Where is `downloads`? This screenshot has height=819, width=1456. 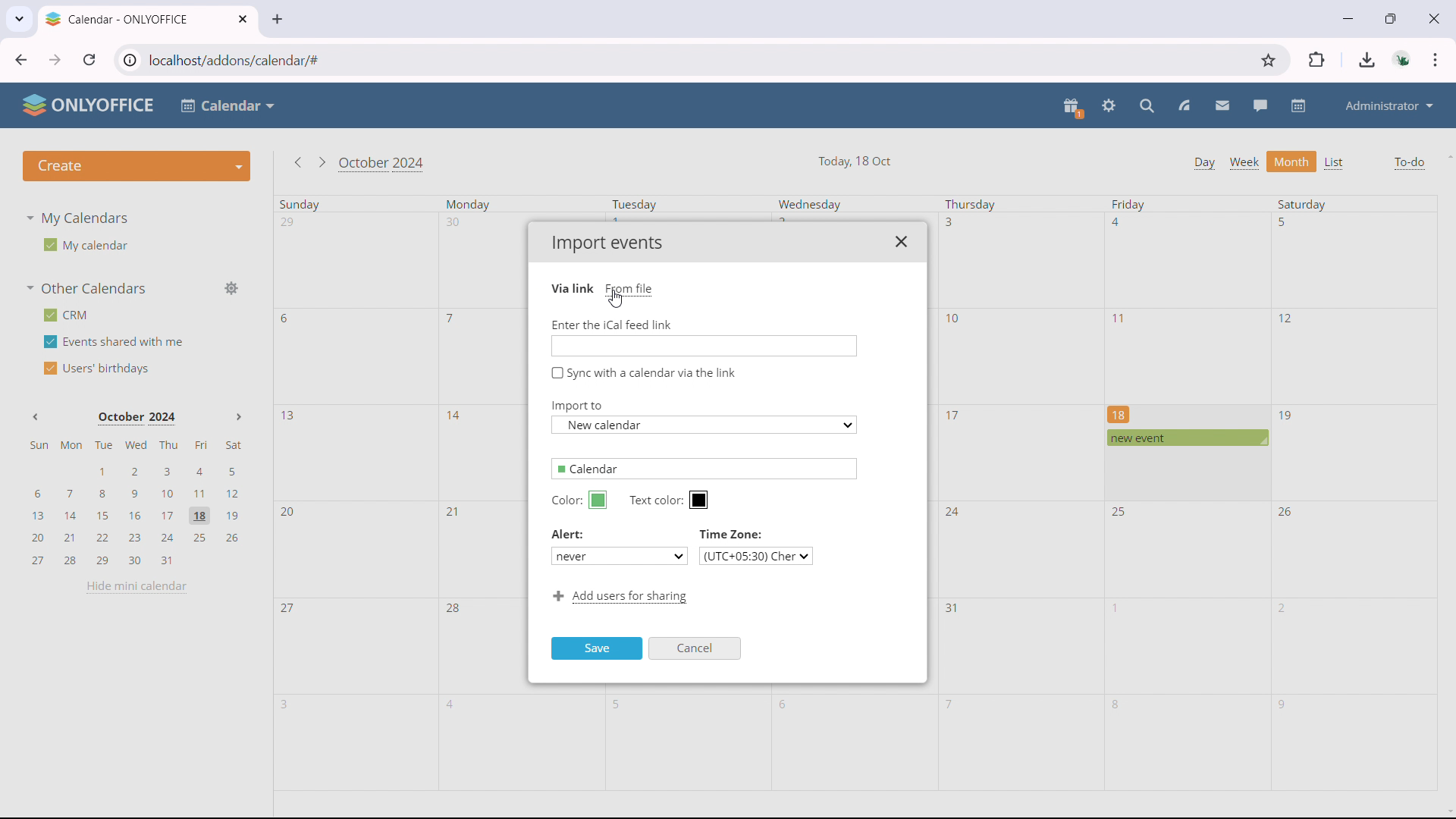
downloads is located at coordinates (1367, 60).